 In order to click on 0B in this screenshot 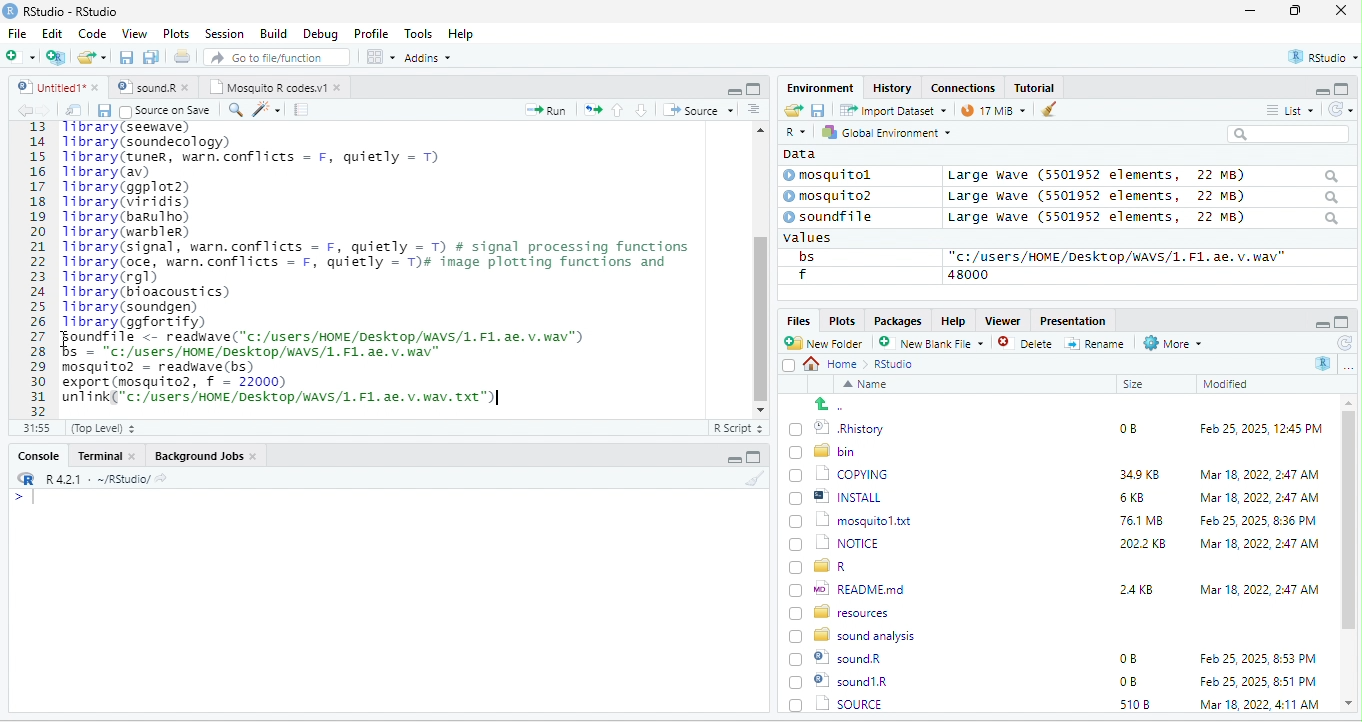, I will do `click(1127, 659)`.